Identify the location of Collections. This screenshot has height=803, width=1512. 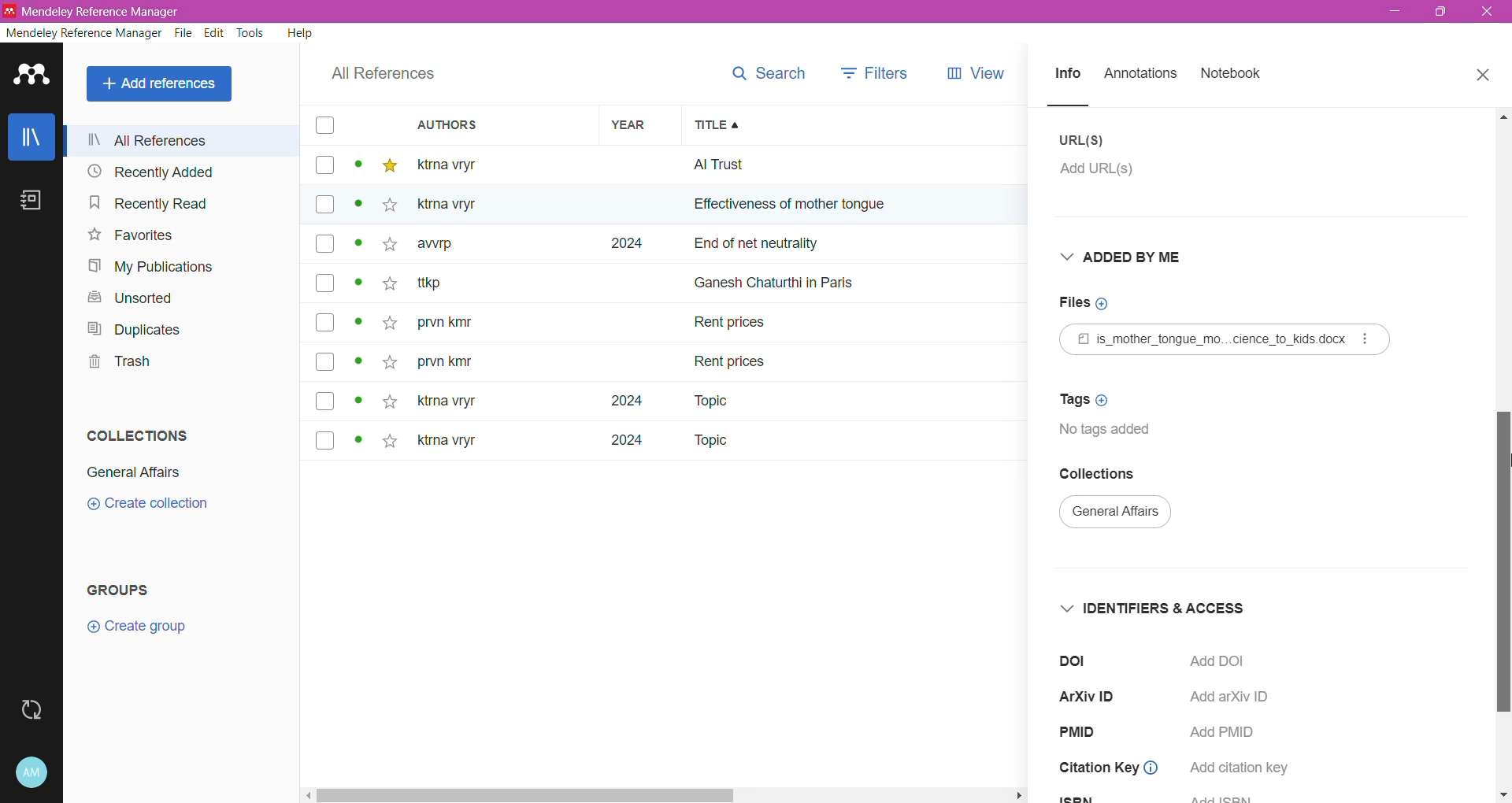
(1102, 475).